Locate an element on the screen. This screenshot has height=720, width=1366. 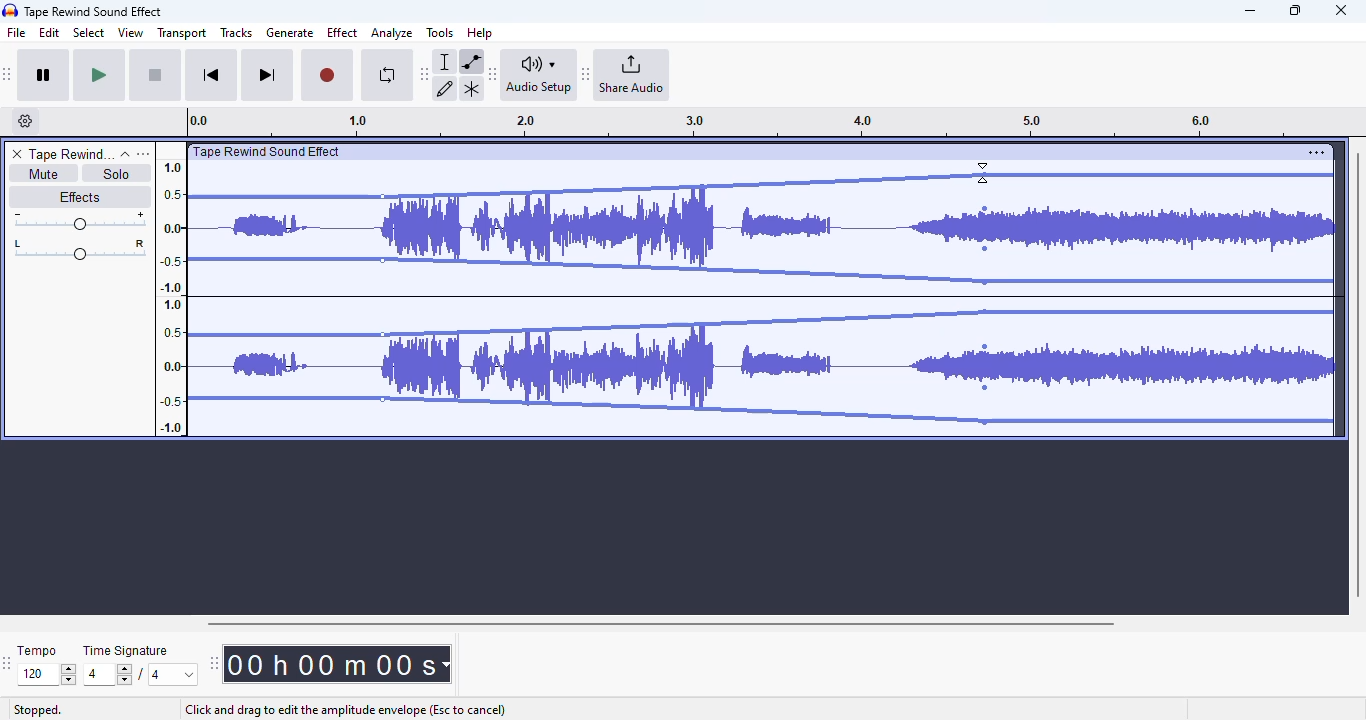
Input for time signature is located at coordinates (108, 675).